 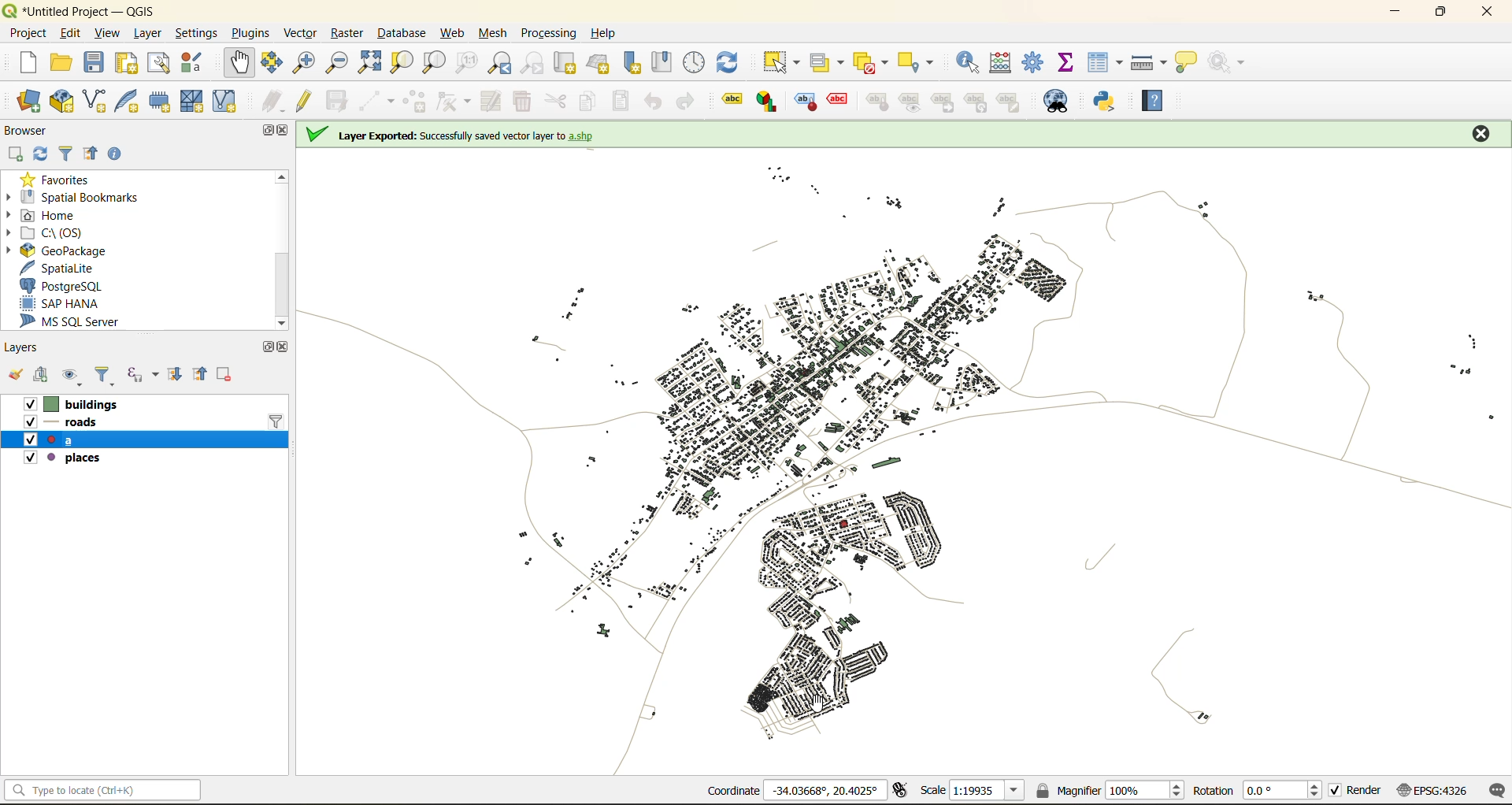 I want to click on close, so click(x=283, y=349).